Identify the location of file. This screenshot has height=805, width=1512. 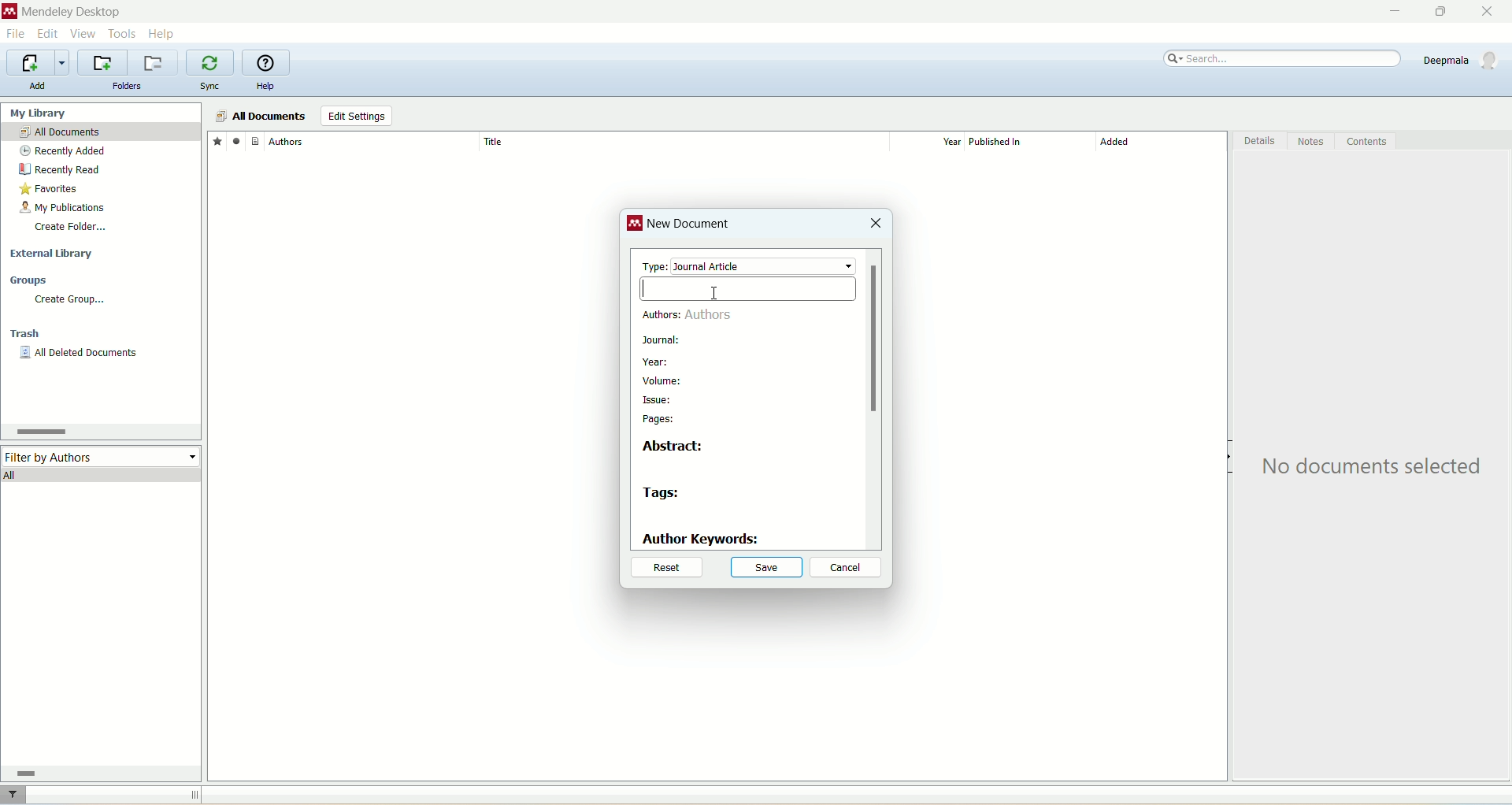
(15, 35).